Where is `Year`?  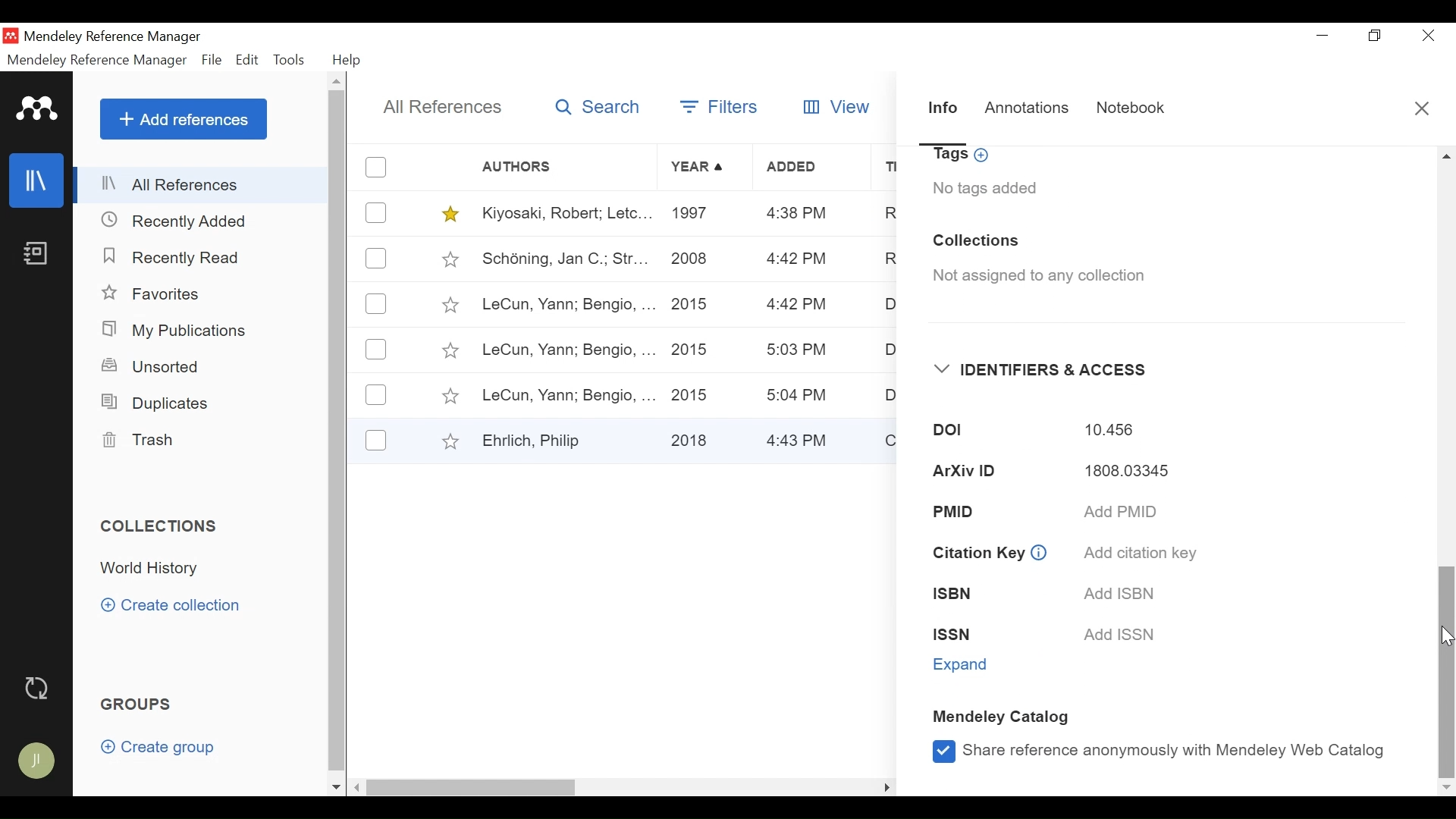
Year is located at coordinates (700, 168).